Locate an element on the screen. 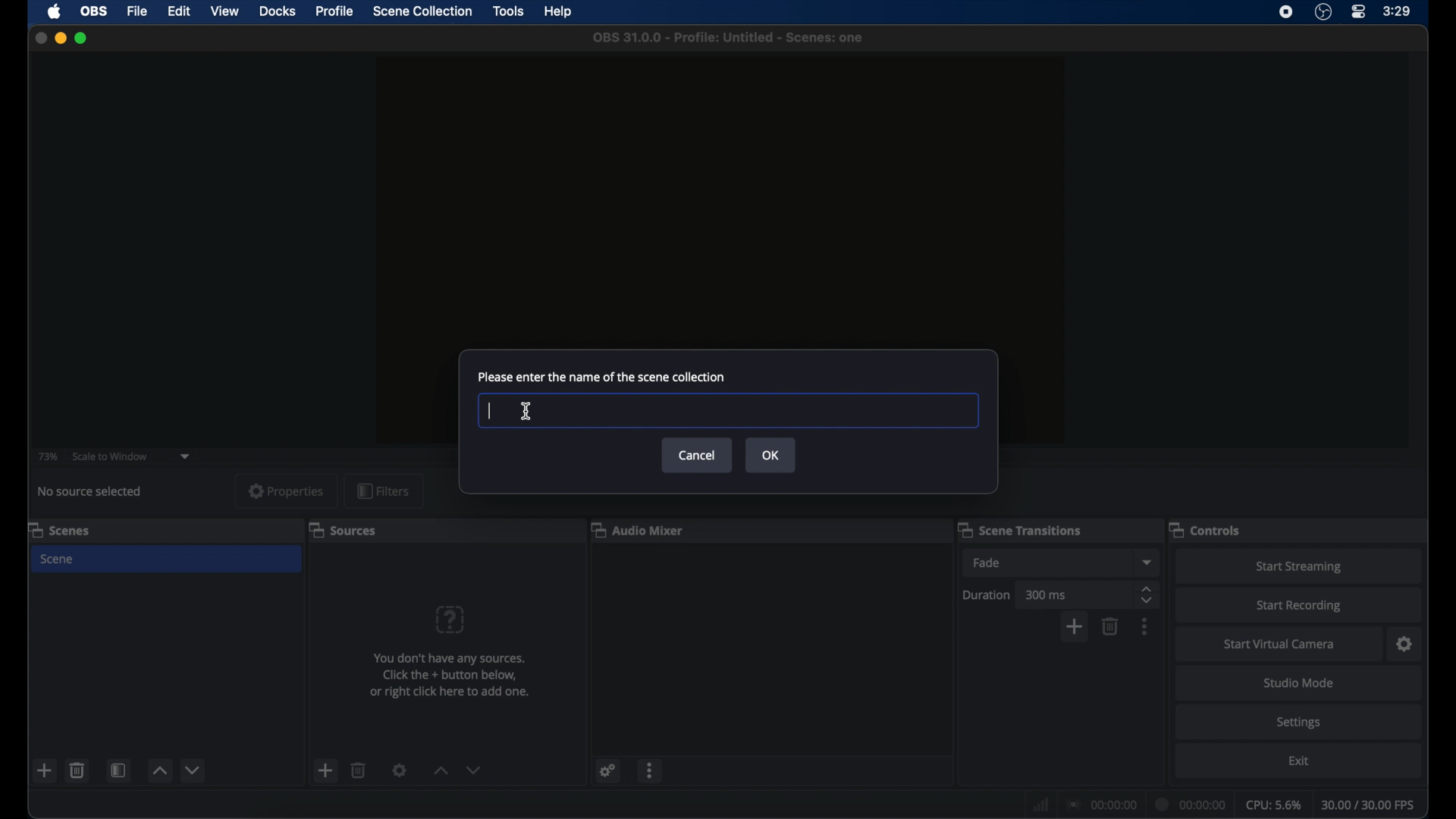 The image size is (1456, 819). view is located at coordinates (224, 11).